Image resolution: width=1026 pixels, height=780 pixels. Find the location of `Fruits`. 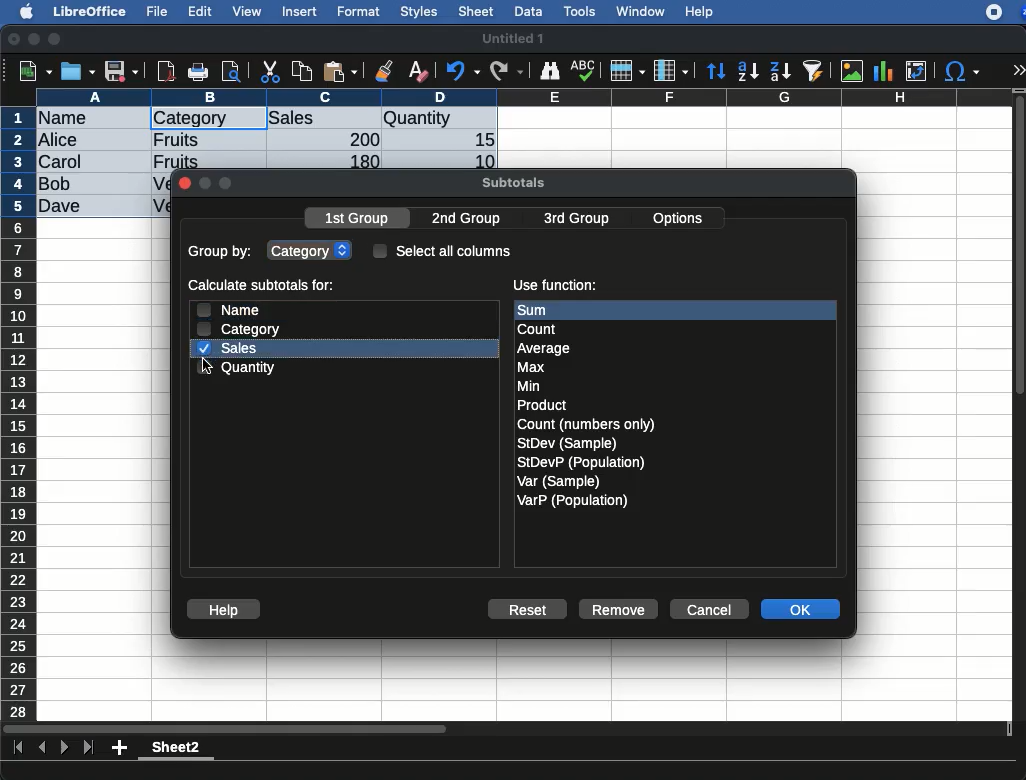

Fruits is located at coordinates (176, 160).